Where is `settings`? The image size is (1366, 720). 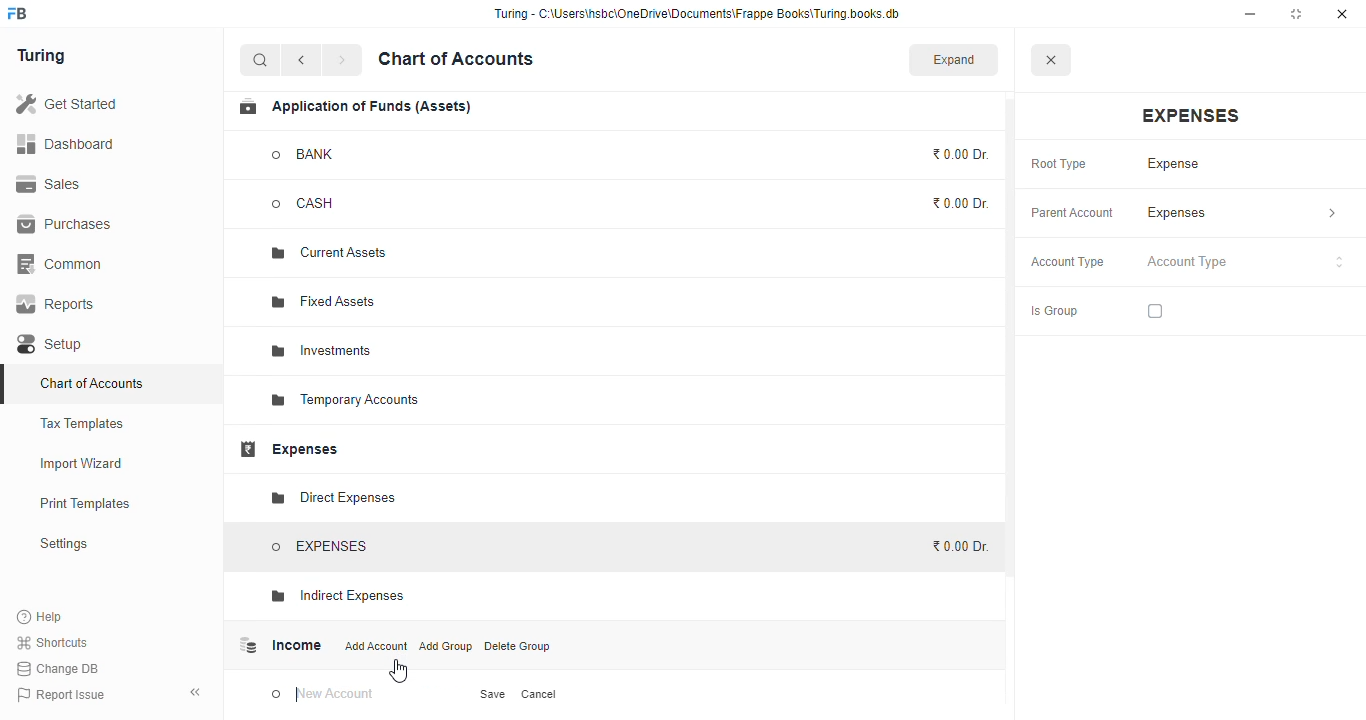 settings is located at coordinates (63, 543).